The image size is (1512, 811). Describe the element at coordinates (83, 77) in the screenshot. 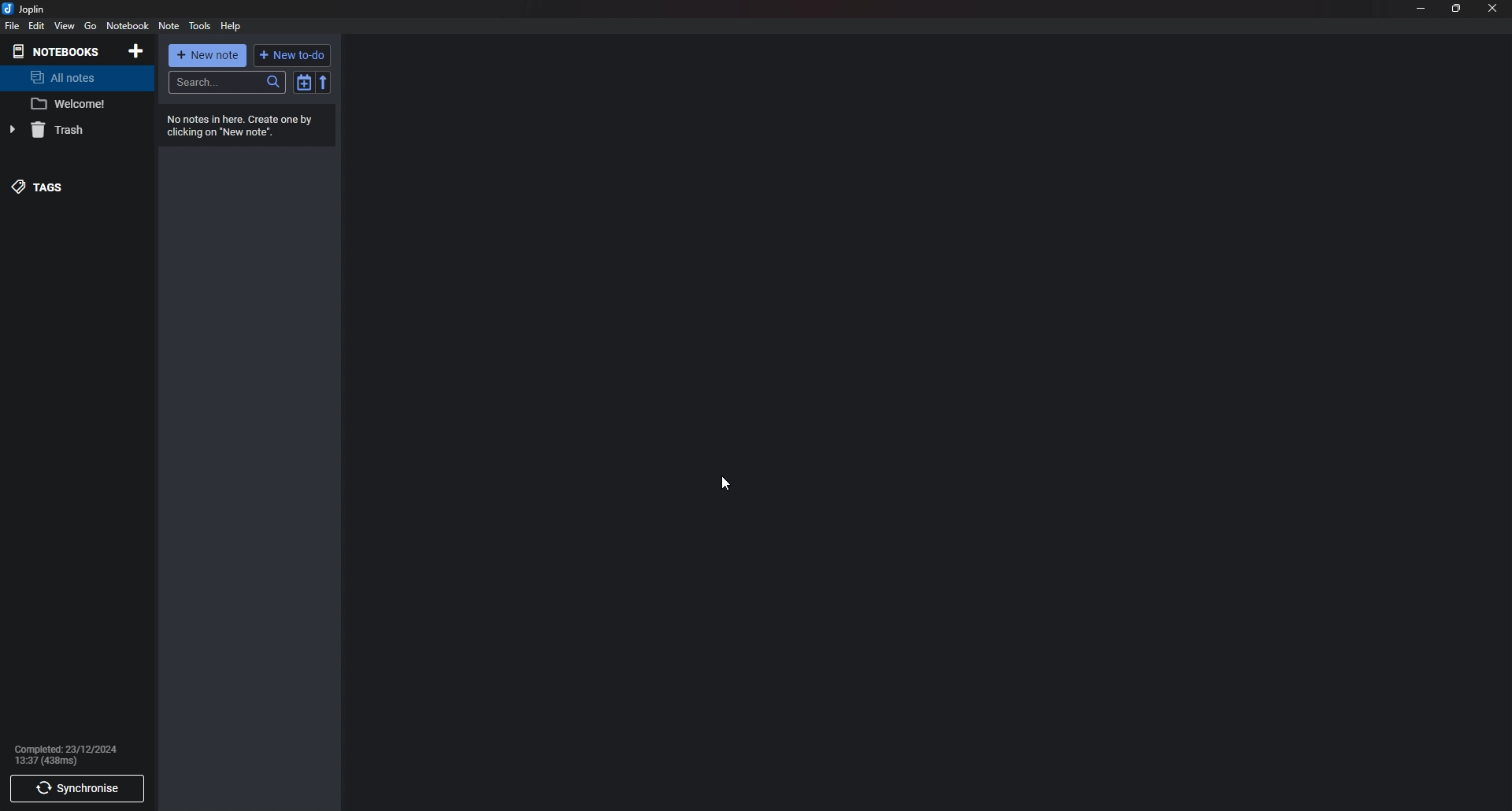

I see `All notes` at that location.